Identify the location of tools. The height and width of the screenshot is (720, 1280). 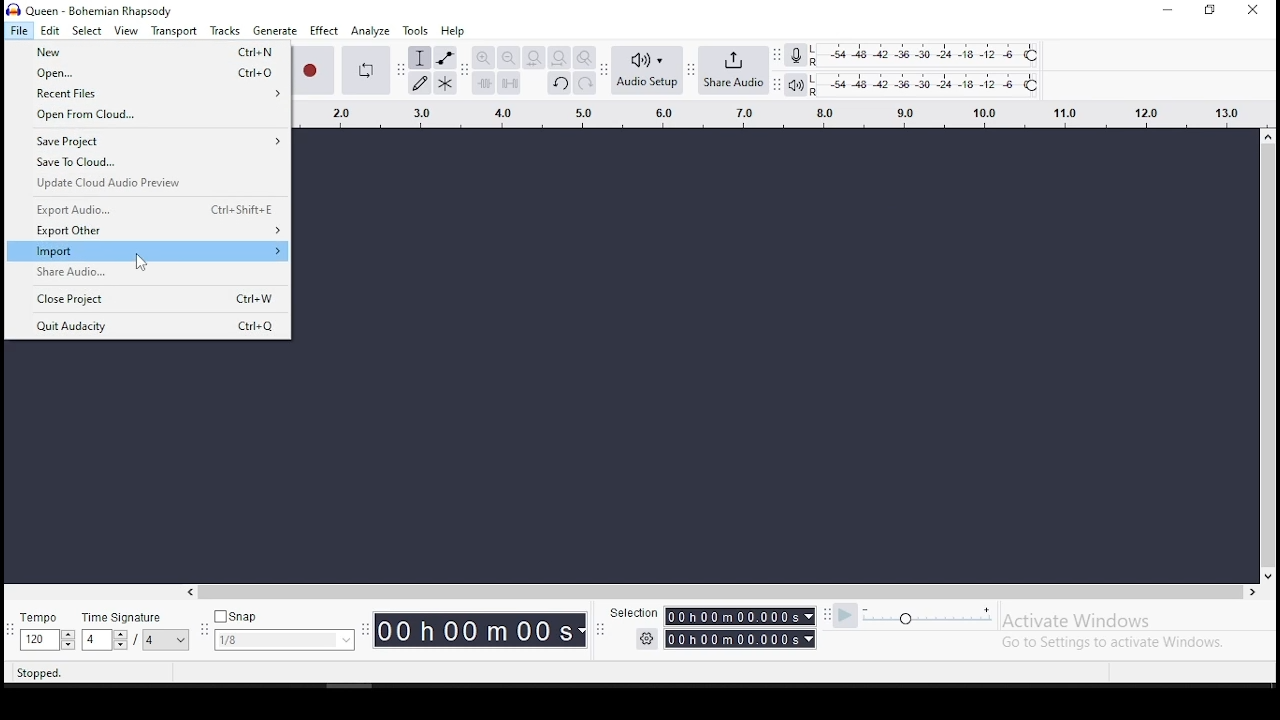
(415, 31).